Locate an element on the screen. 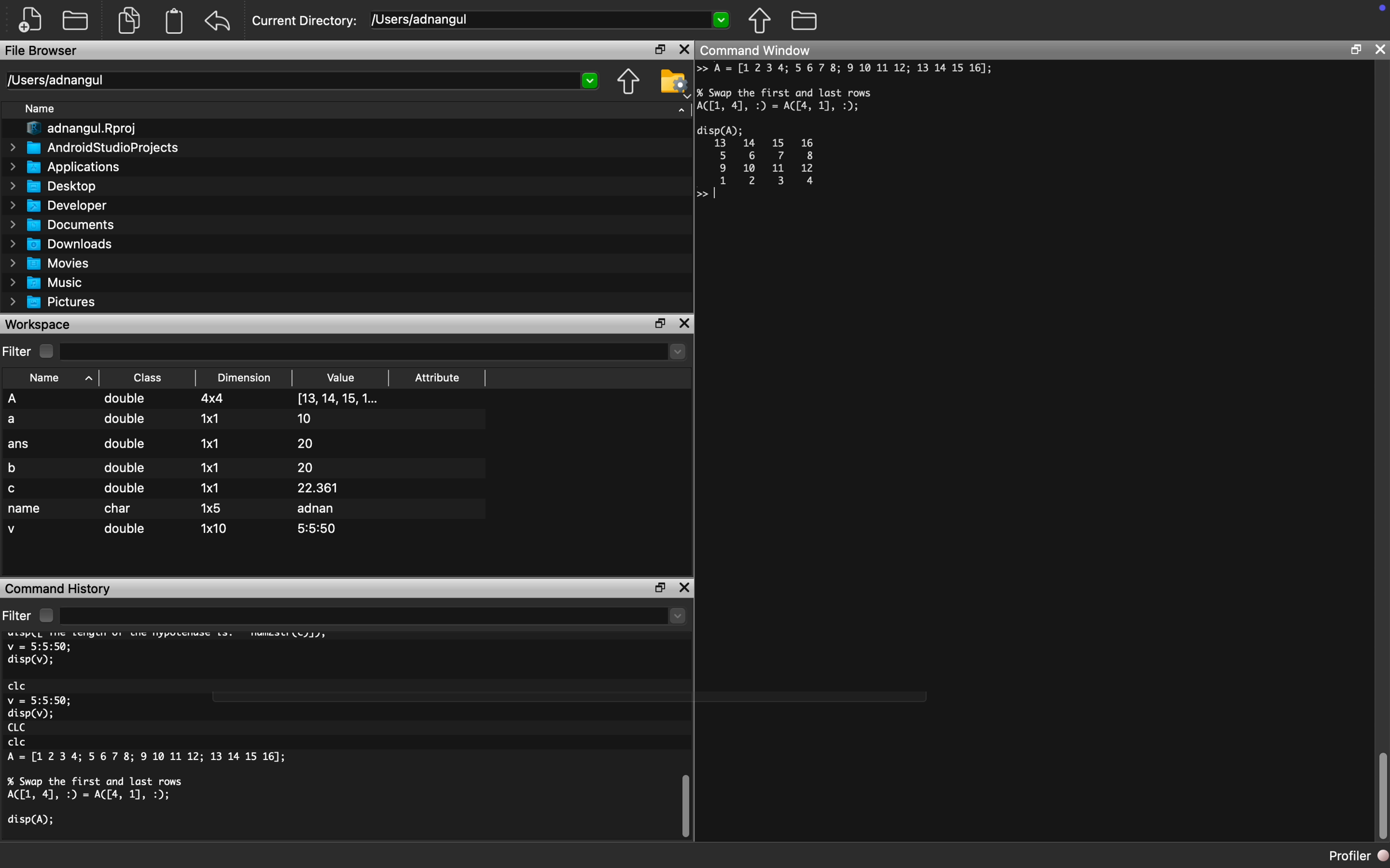 The width and height of the screenshot is (1390, 868). Dropdown is located at coordinates (677, 618).